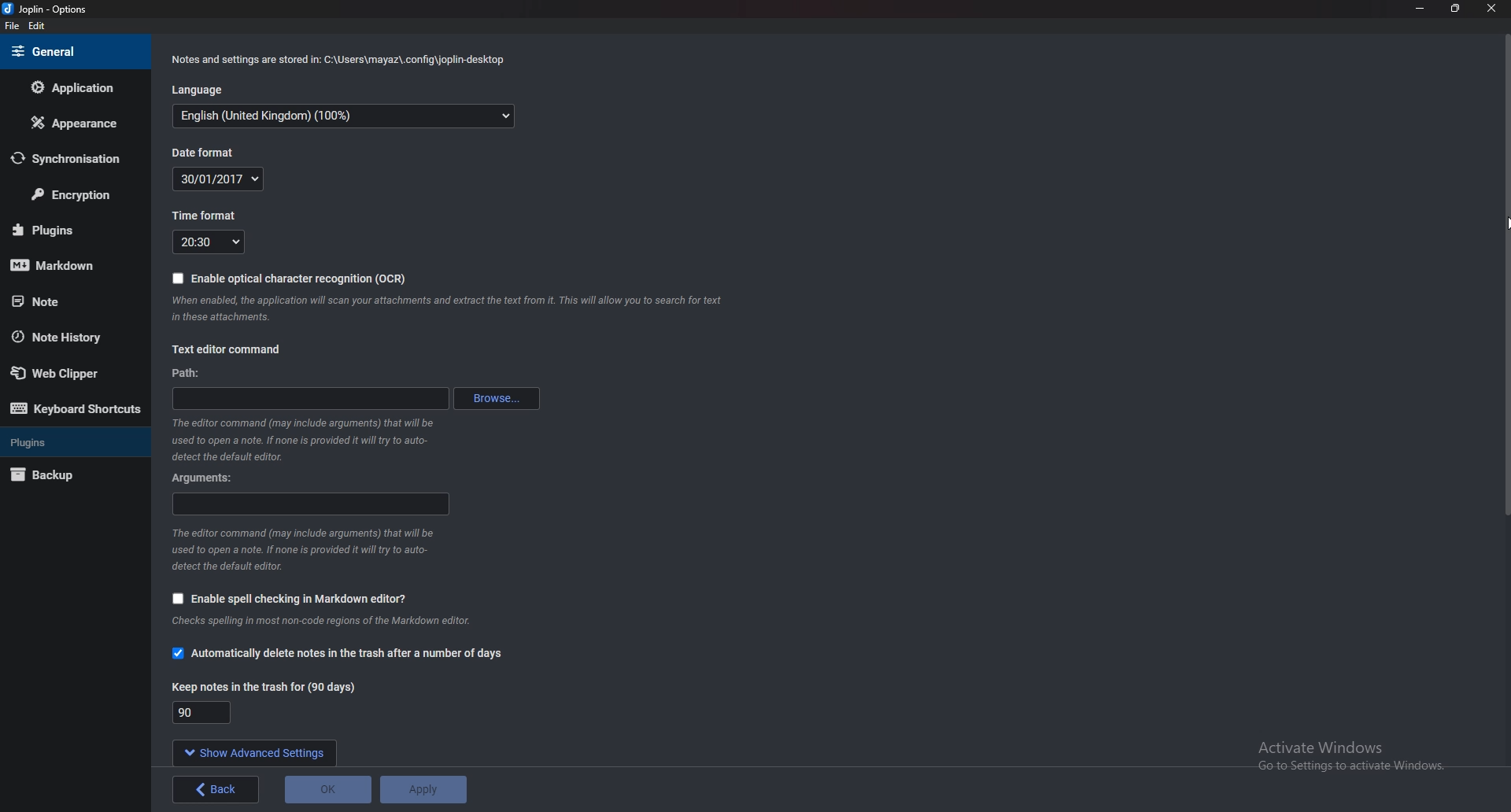  I want to click on Date format, so click(219, 179).